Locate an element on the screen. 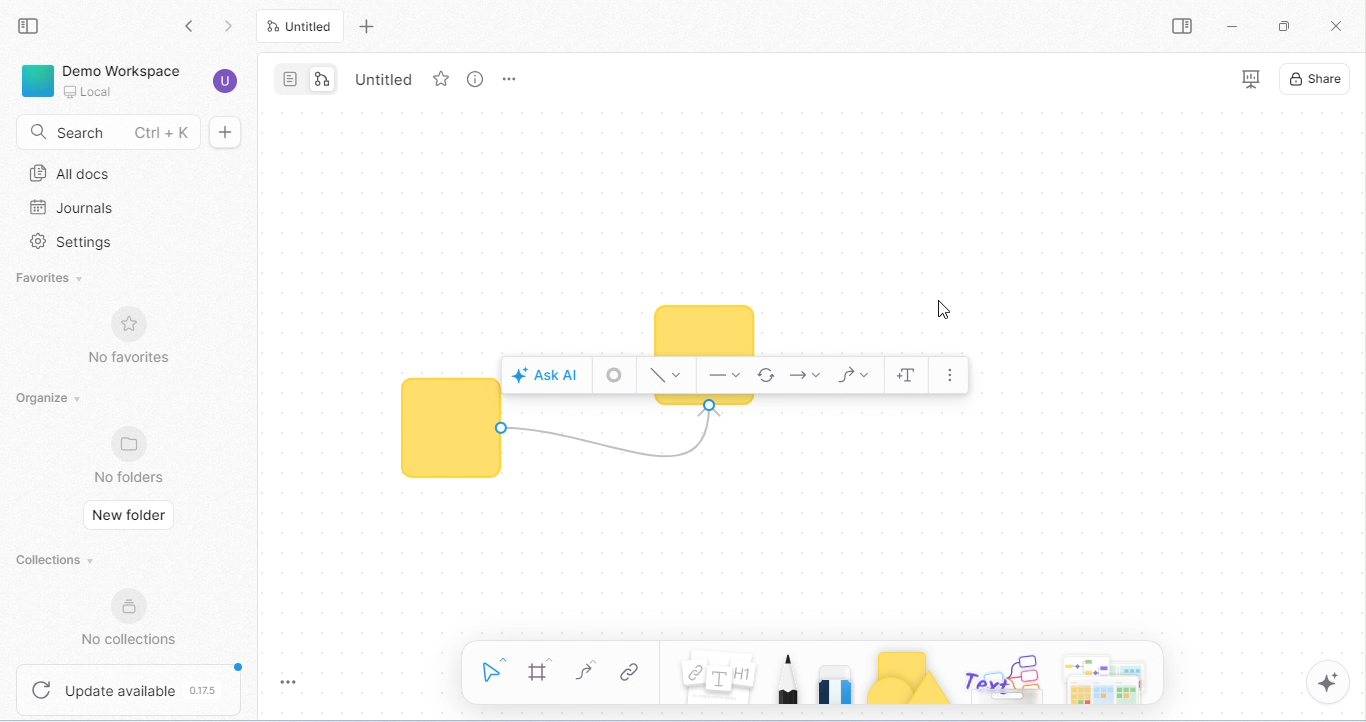 The image size is (1366, 722). new folder is located at coordinates (131, 514).